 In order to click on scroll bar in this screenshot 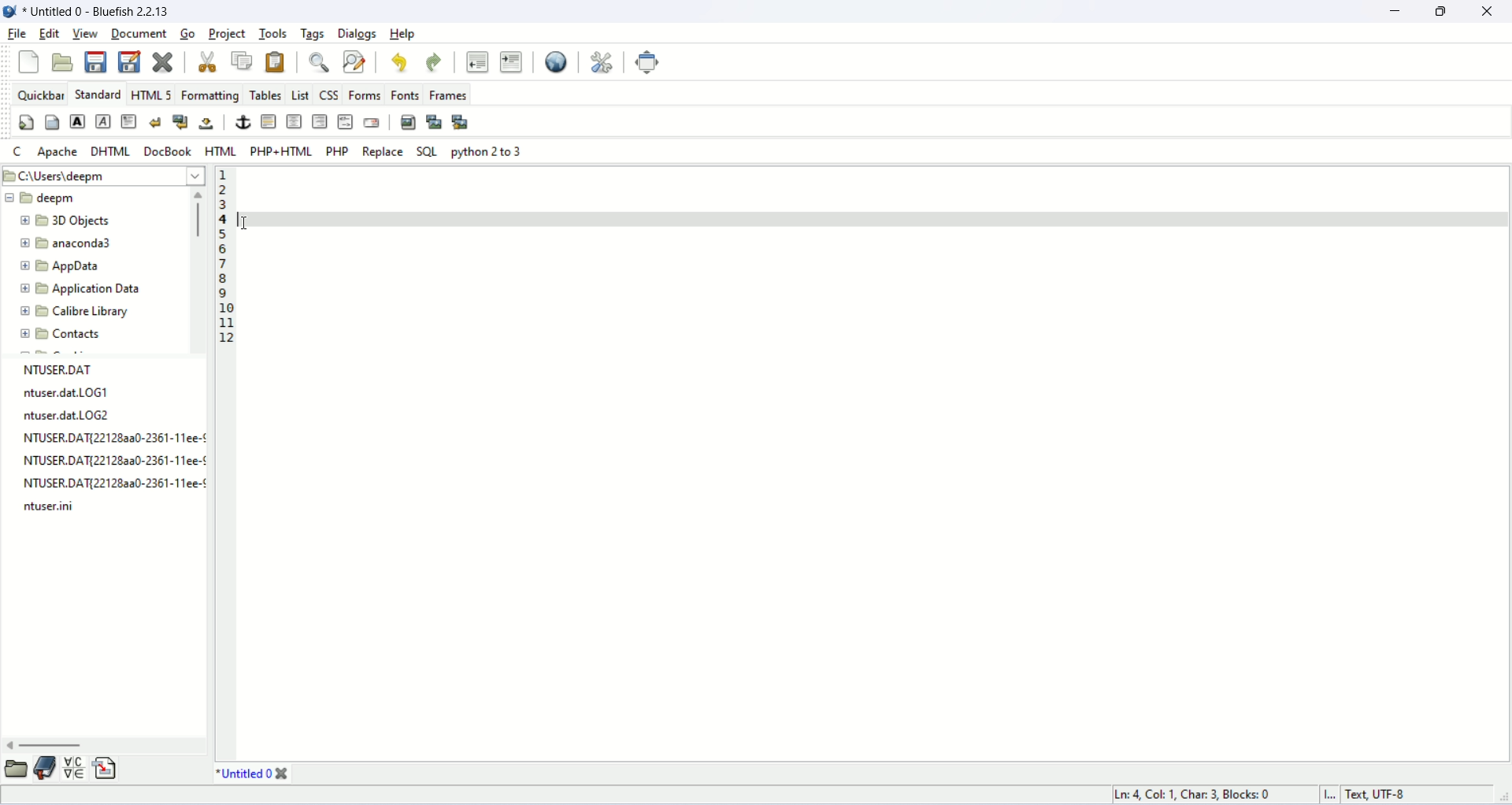, I will do `click(108, 745)`.